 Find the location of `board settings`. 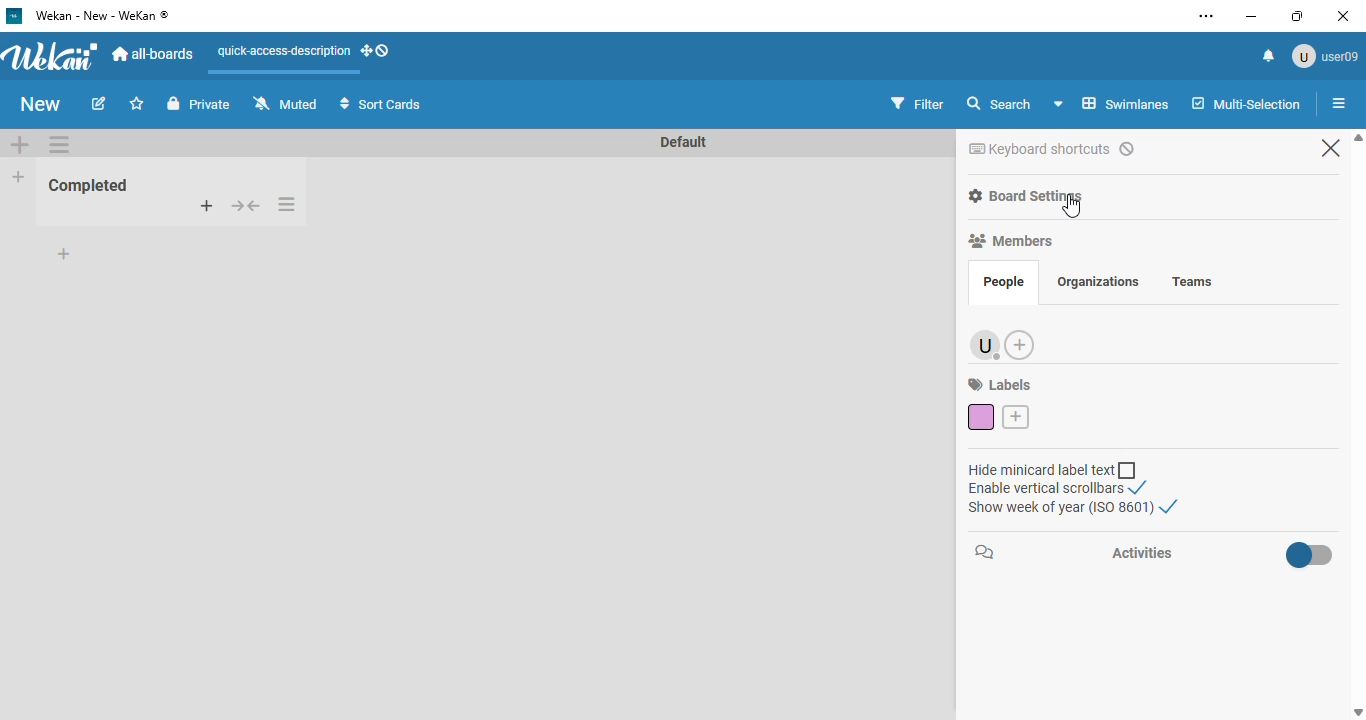

board settings is located at coordinates (1027, 197).